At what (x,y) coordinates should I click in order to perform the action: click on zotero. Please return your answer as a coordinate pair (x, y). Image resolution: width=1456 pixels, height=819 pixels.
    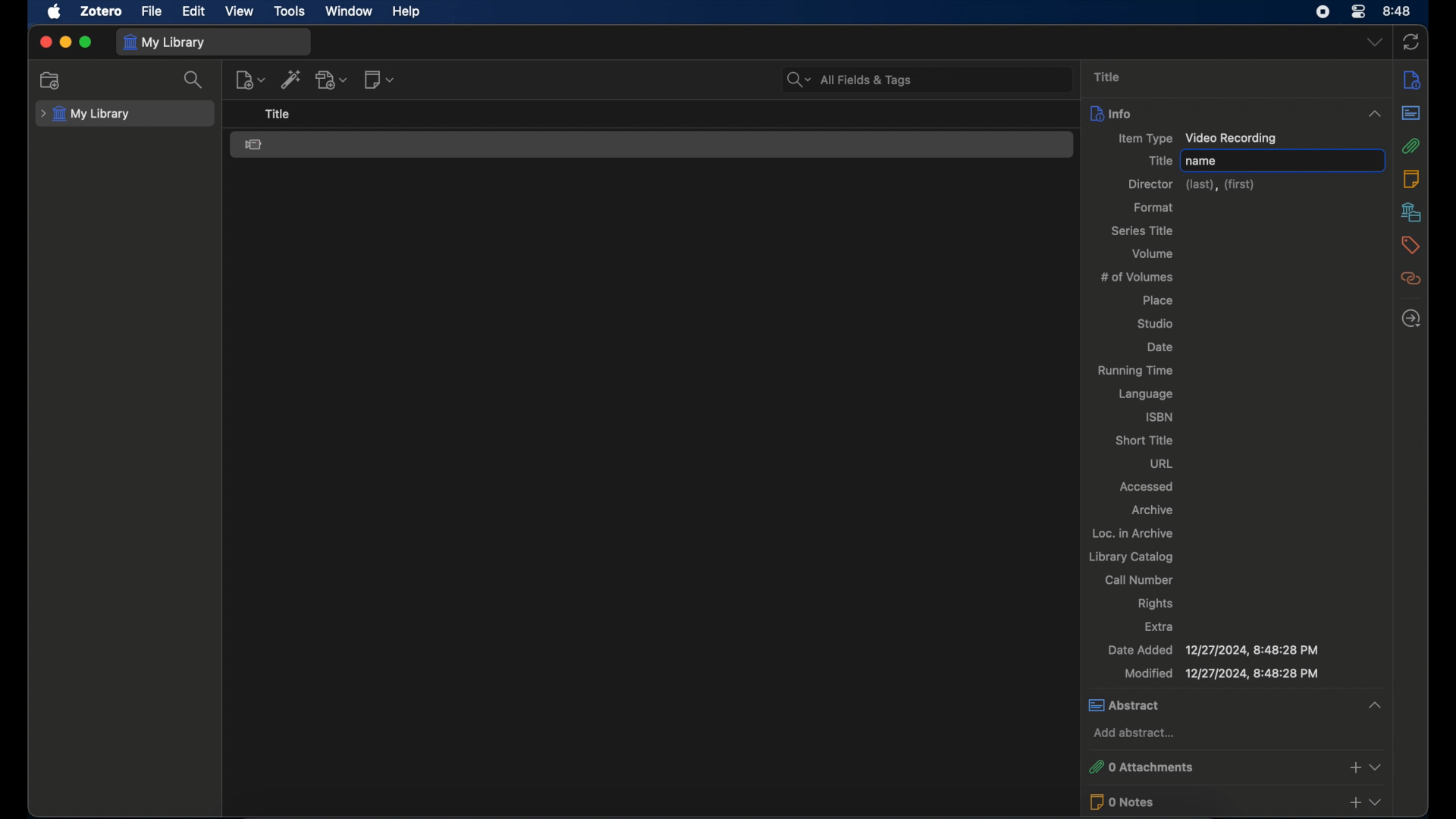
    Looking at the image, I should click on (100, 11).